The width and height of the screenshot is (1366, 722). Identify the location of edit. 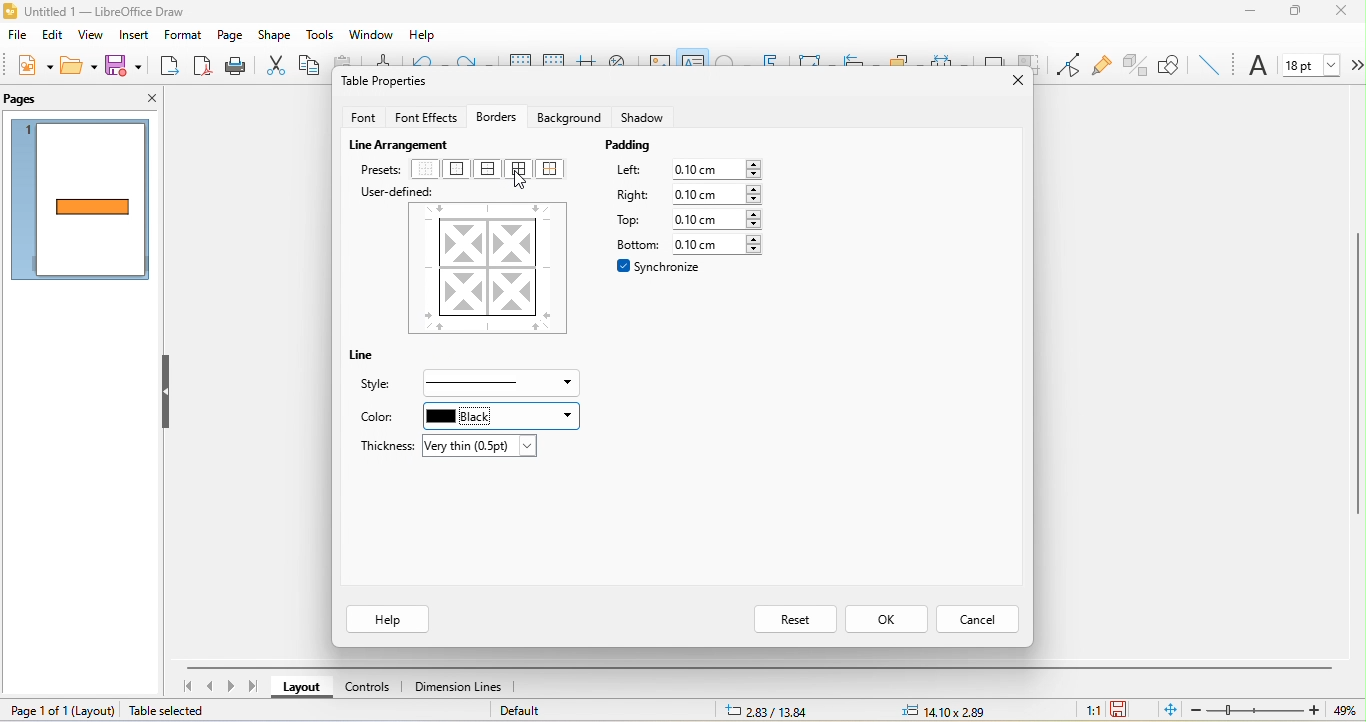
(51, 34).